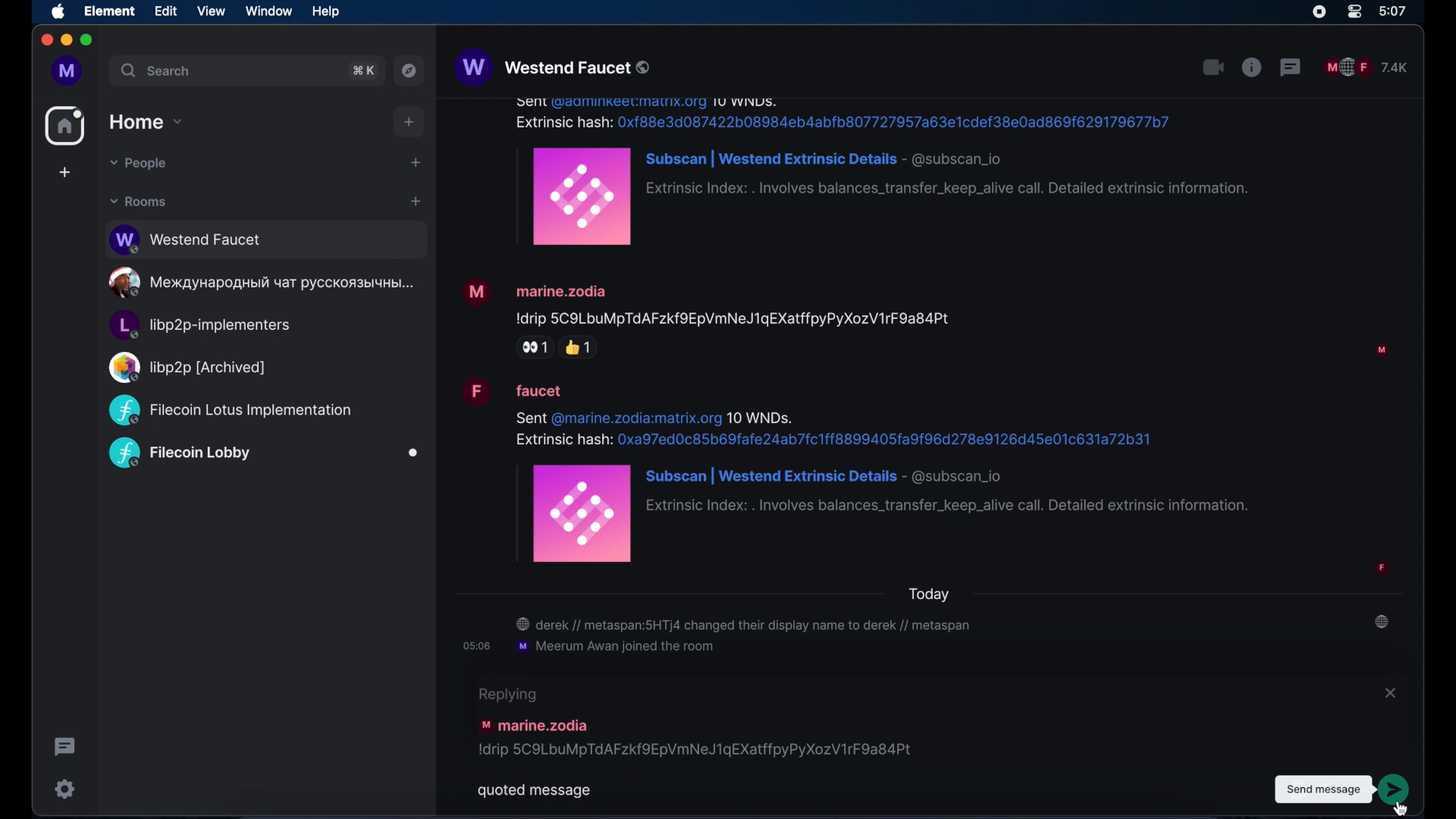 The height and width of the screenshot is (819, 1456). Describe the element at coordinates (1394, 11) in the screenshot. I see `time` at that location.